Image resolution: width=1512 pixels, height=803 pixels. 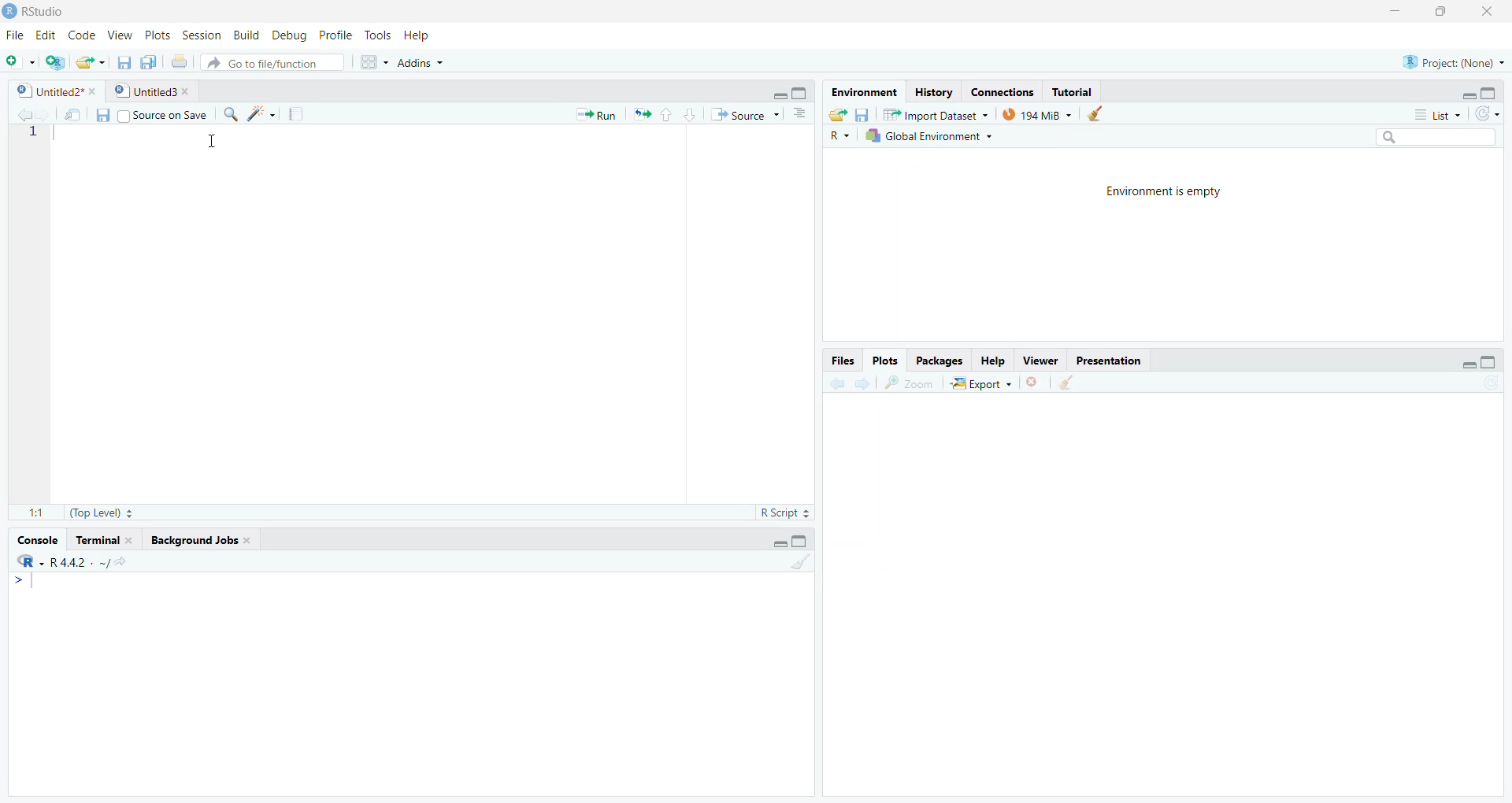 I want to click on Viewer, so click(x=1039, y=361).